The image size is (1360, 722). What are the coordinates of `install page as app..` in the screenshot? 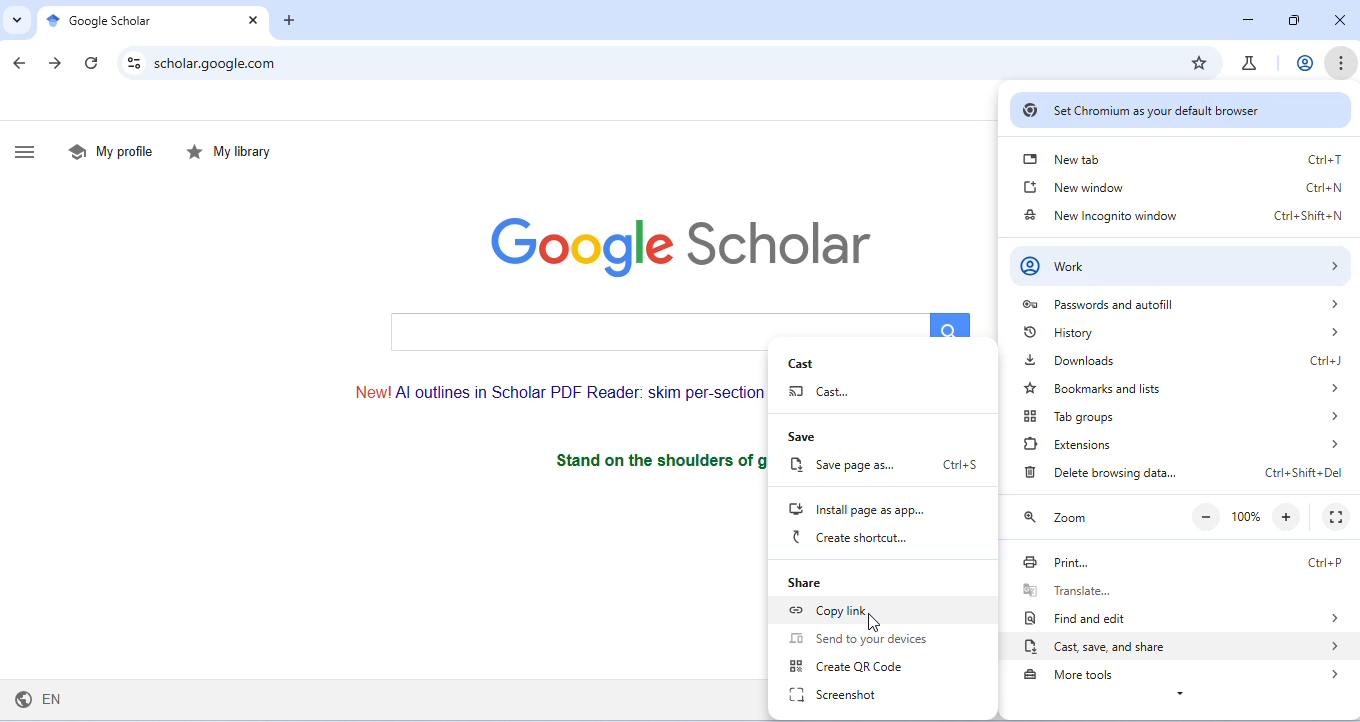 It's located at (866, 511).